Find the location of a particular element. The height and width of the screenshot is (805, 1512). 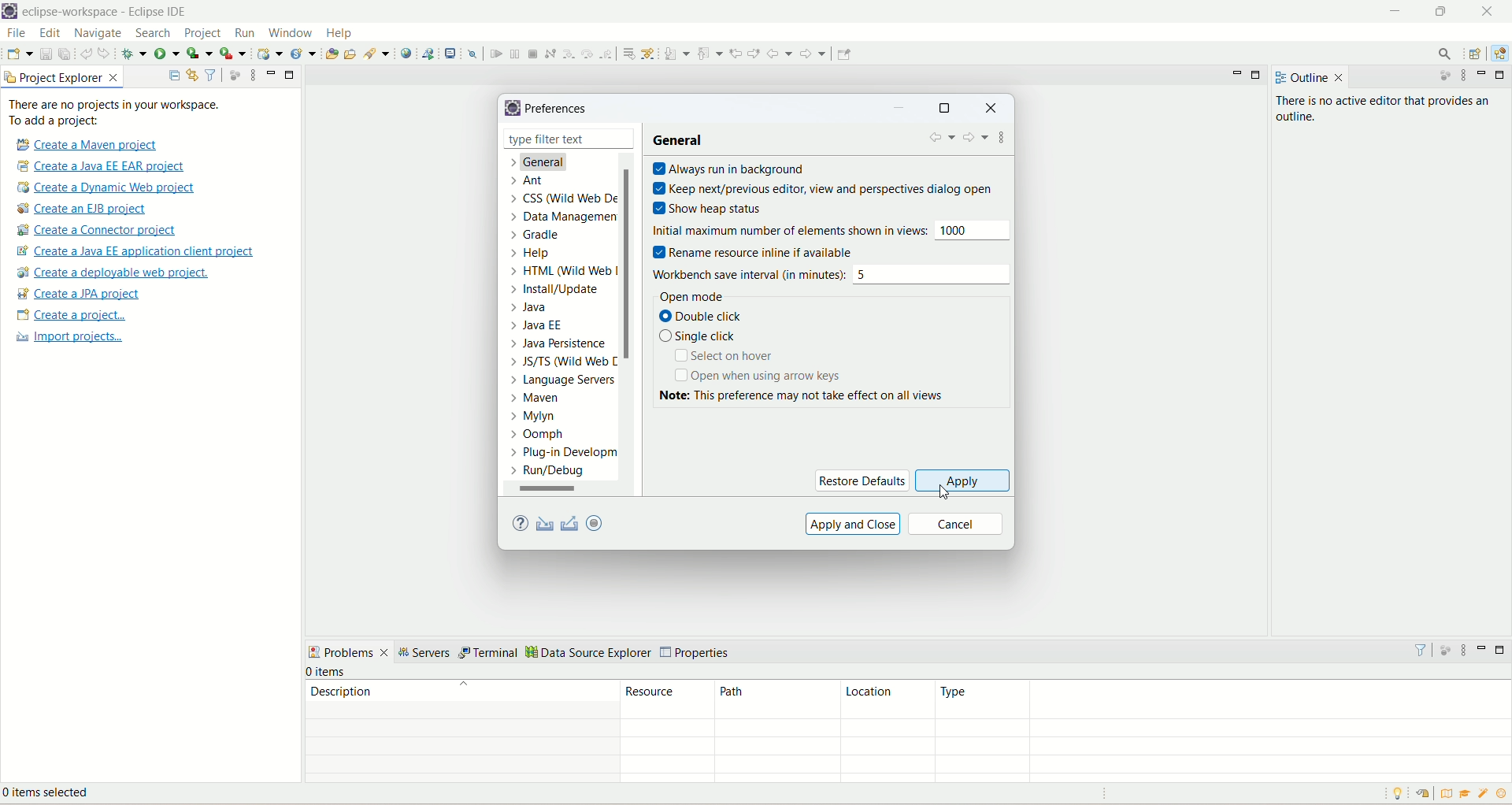

workbench save interval (in minutes): 5 is located at coordinates (834, 273).